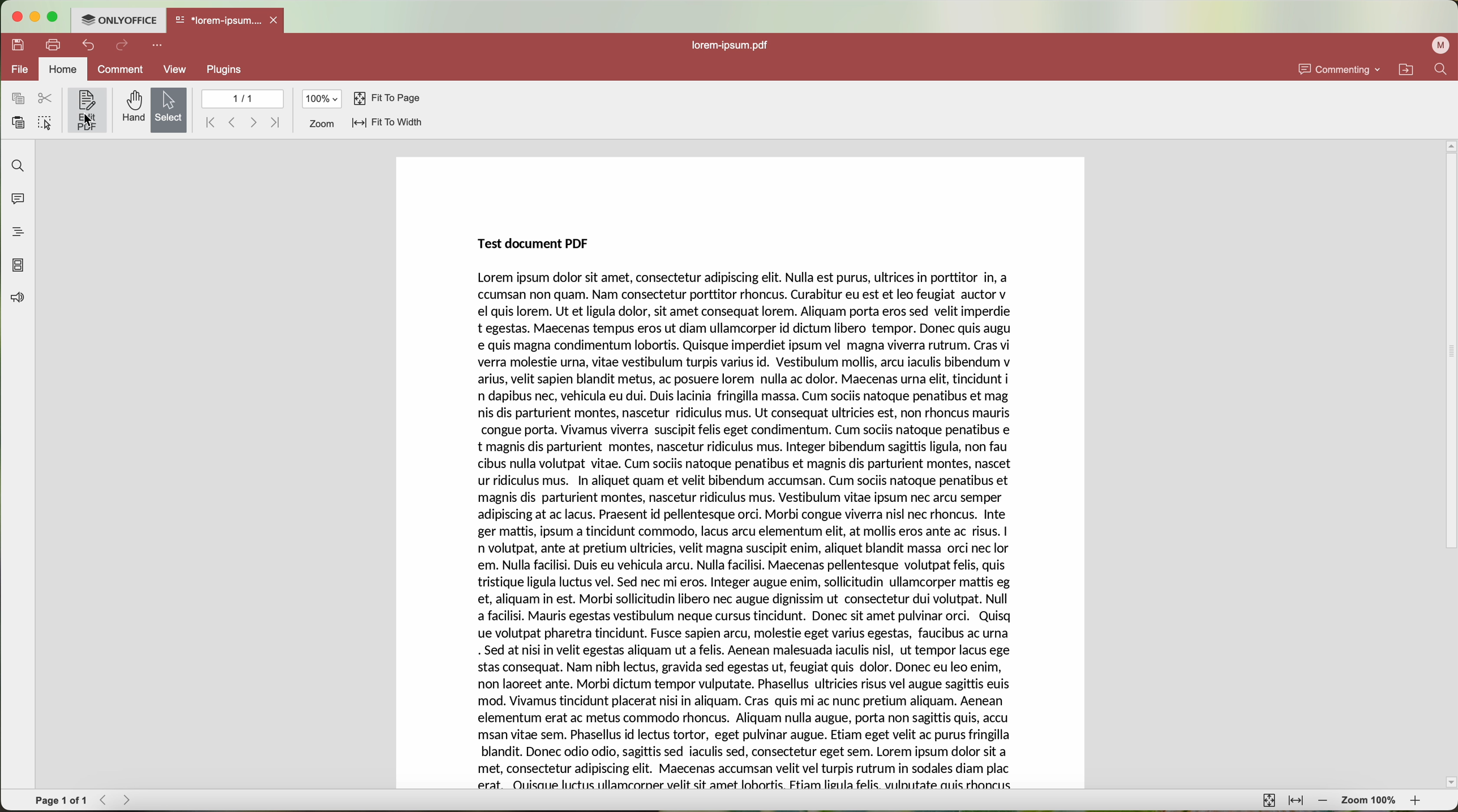  Describe the element at coordinates (21, 70) in the screenshot. I see `file` at that location.